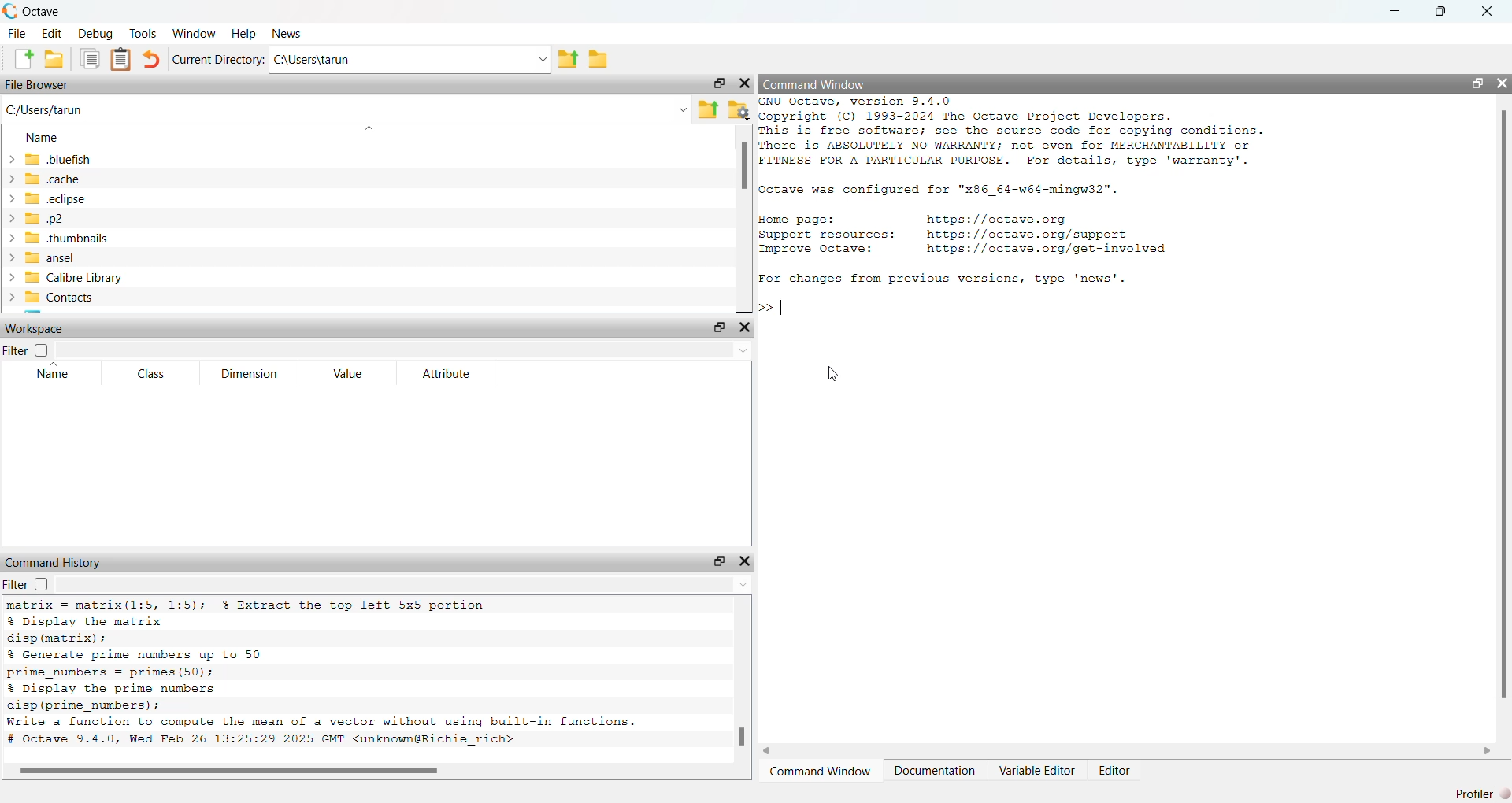  What do you see at coordinates (12, 228) in the screenshot?
I see `expand/collapse` at bounding box center [12, 228].